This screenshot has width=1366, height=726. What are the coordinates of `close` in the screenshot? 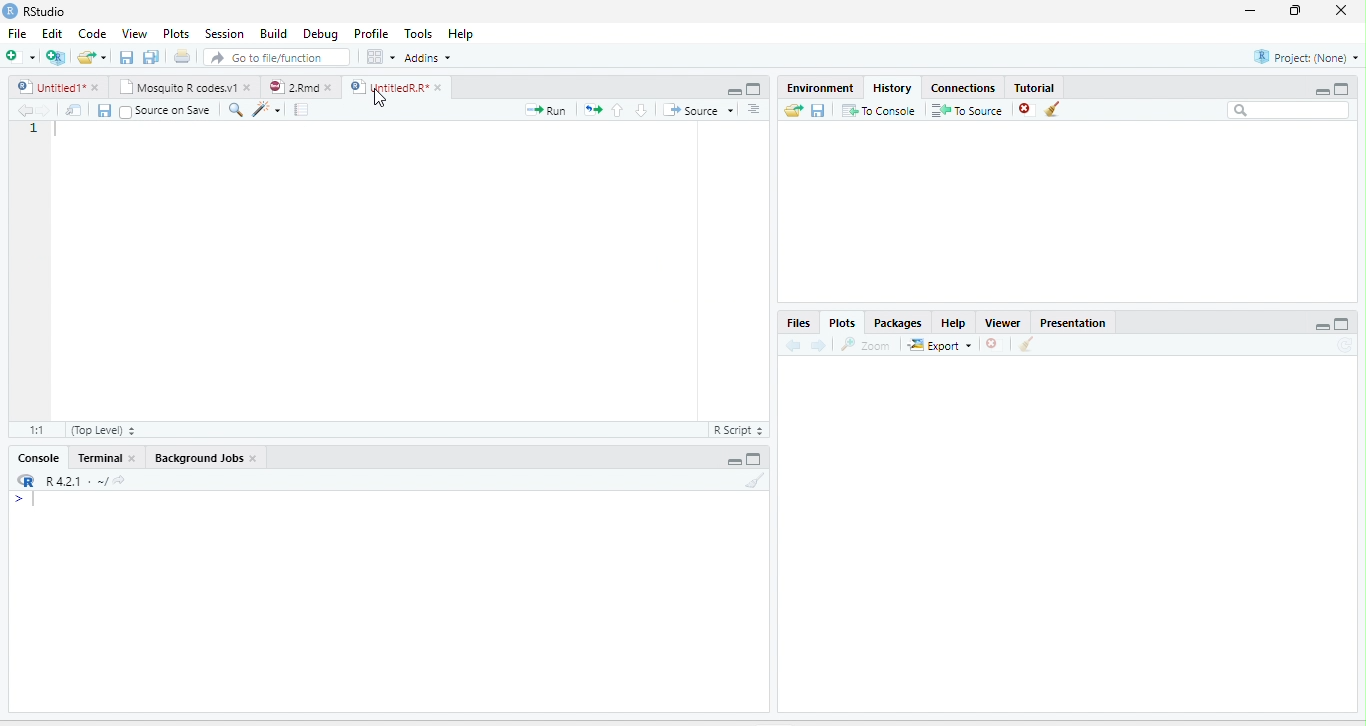 It's located at (95, 87).